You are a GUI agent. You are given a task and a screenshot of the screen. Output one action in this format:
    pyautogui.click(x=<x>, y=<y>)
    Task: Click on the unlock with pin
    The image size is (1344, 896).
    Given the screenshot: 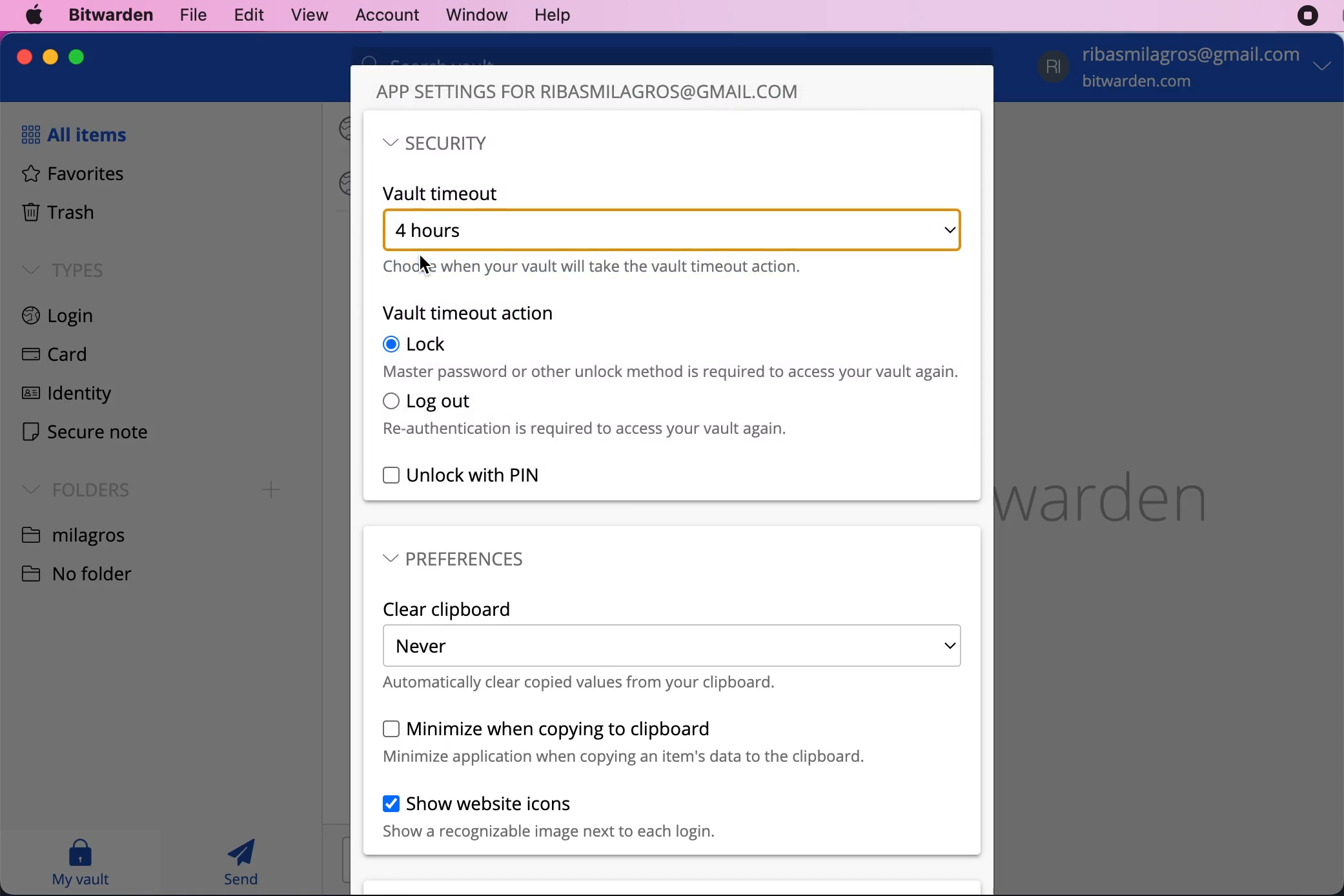 What is the action you would take?
    pyautogui.click(x=463, y=476)
    